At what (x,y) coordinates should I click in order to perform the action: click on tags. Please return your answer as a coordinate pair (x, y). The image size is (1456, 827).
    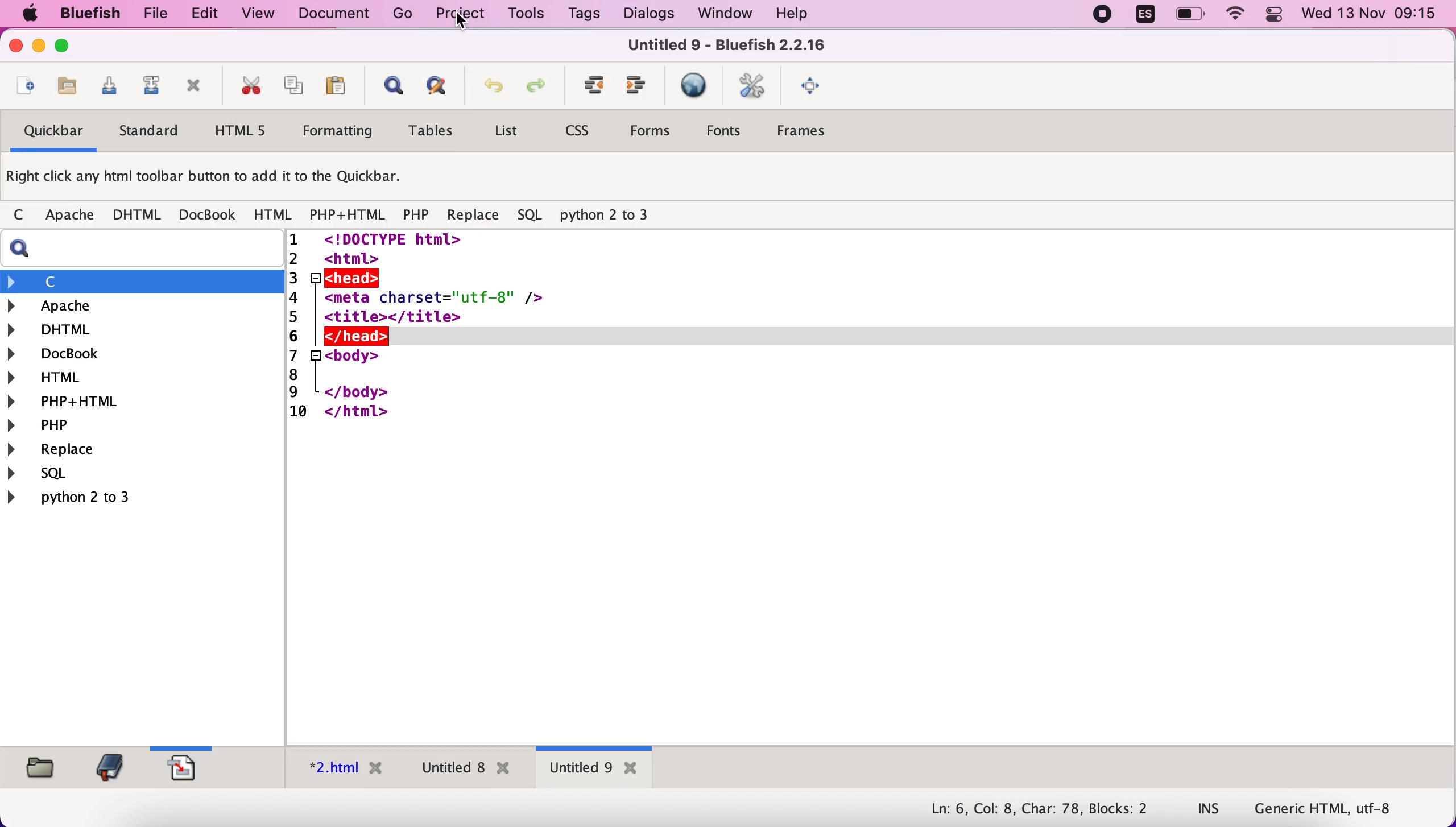
    Looking at the image, I should click on (584, 16).